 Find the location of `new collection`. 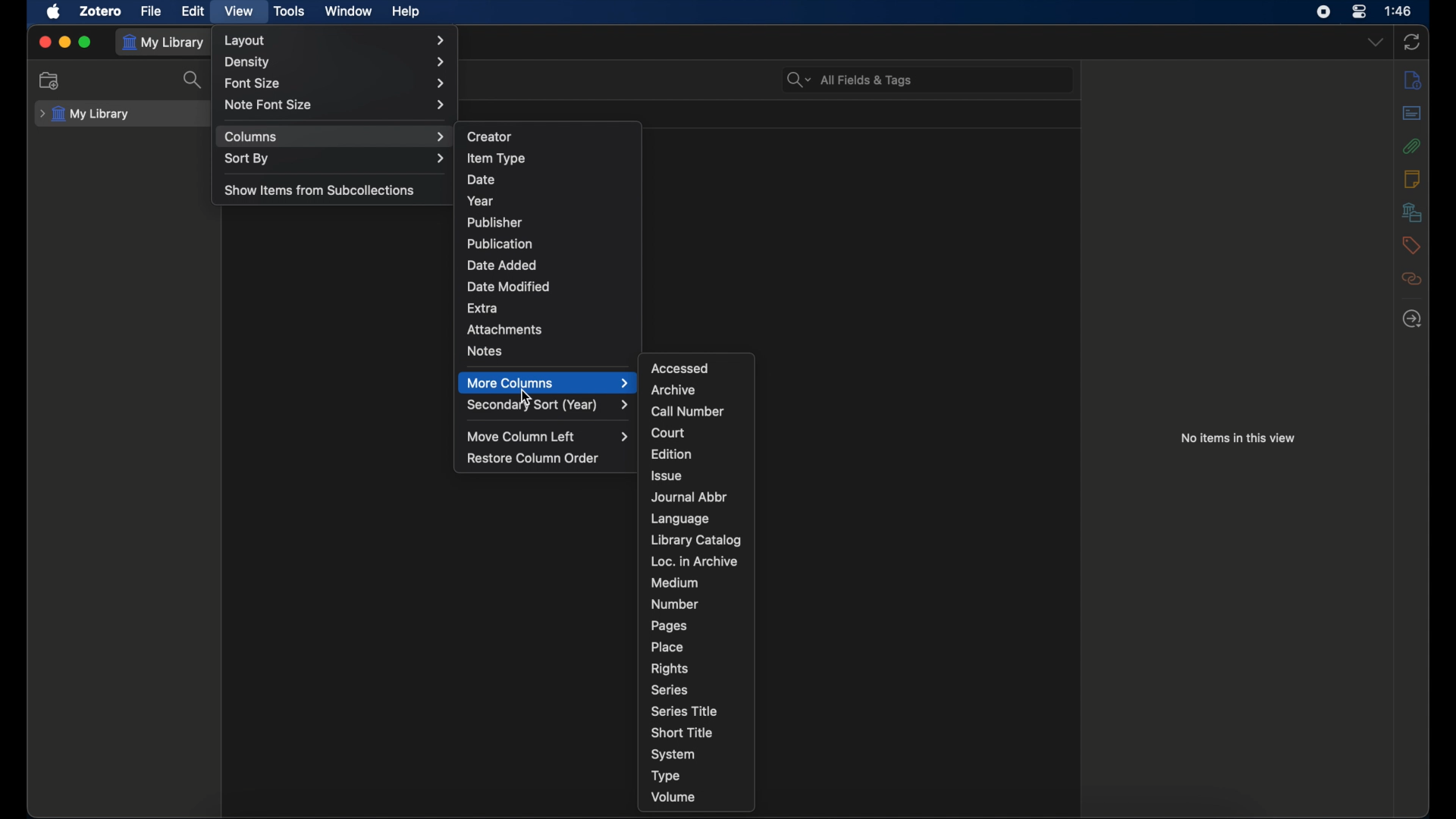

new collection is located at coordinates (49, 80).